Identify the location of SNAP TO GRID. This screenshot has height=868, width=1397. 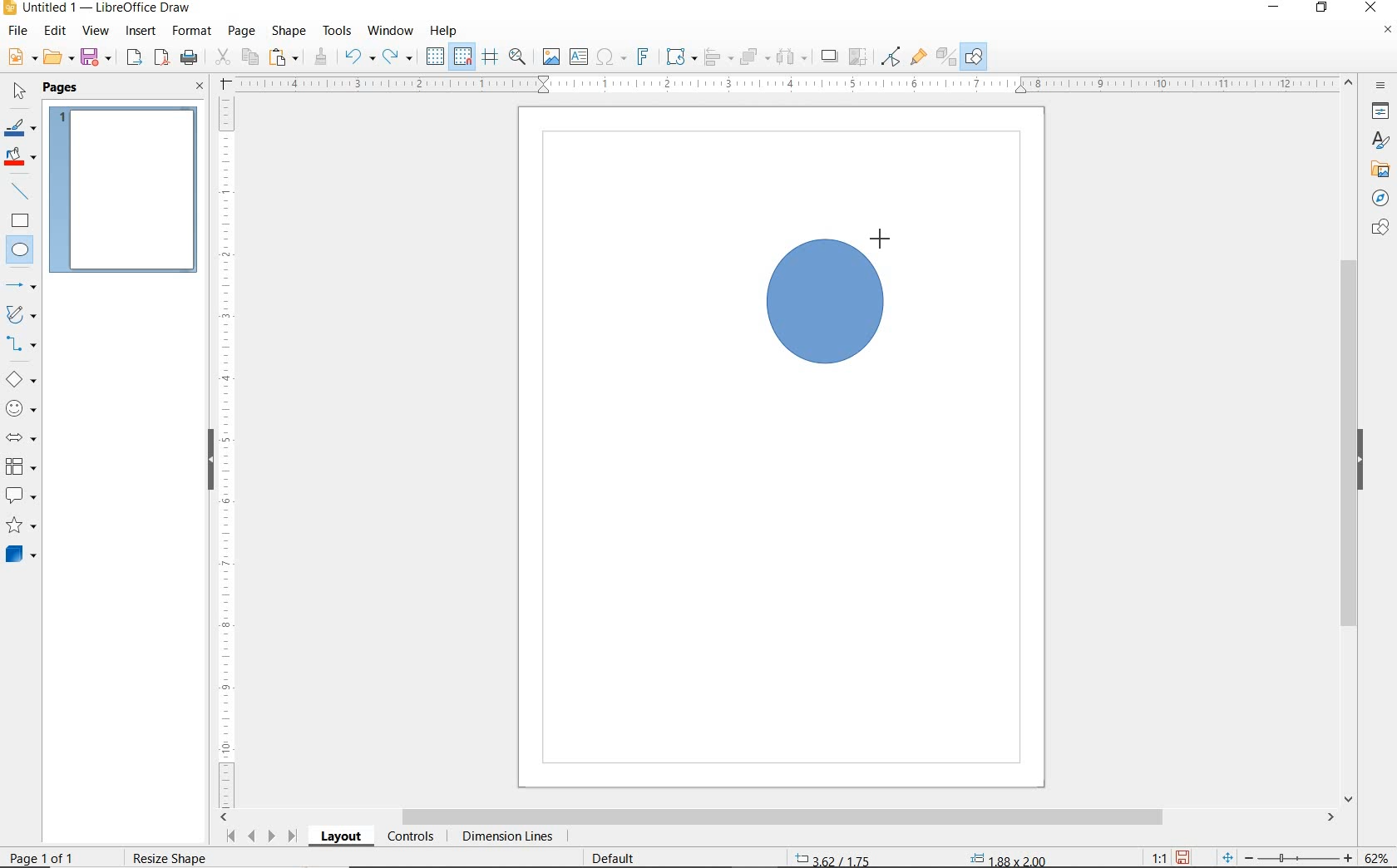
(462, 57).